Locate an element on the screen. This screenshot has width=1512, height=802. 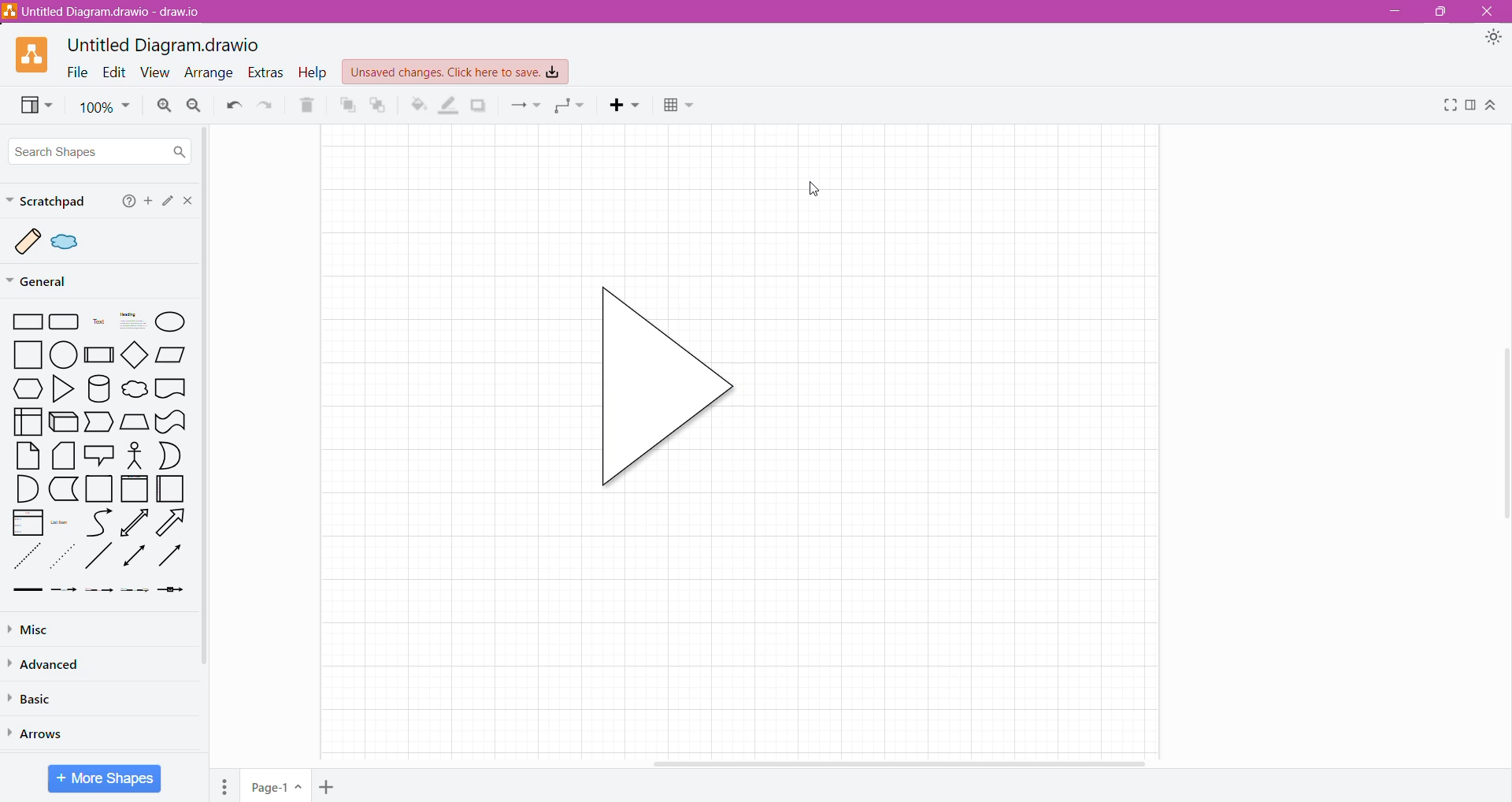
Shadow is located at coordinates (480, 106).